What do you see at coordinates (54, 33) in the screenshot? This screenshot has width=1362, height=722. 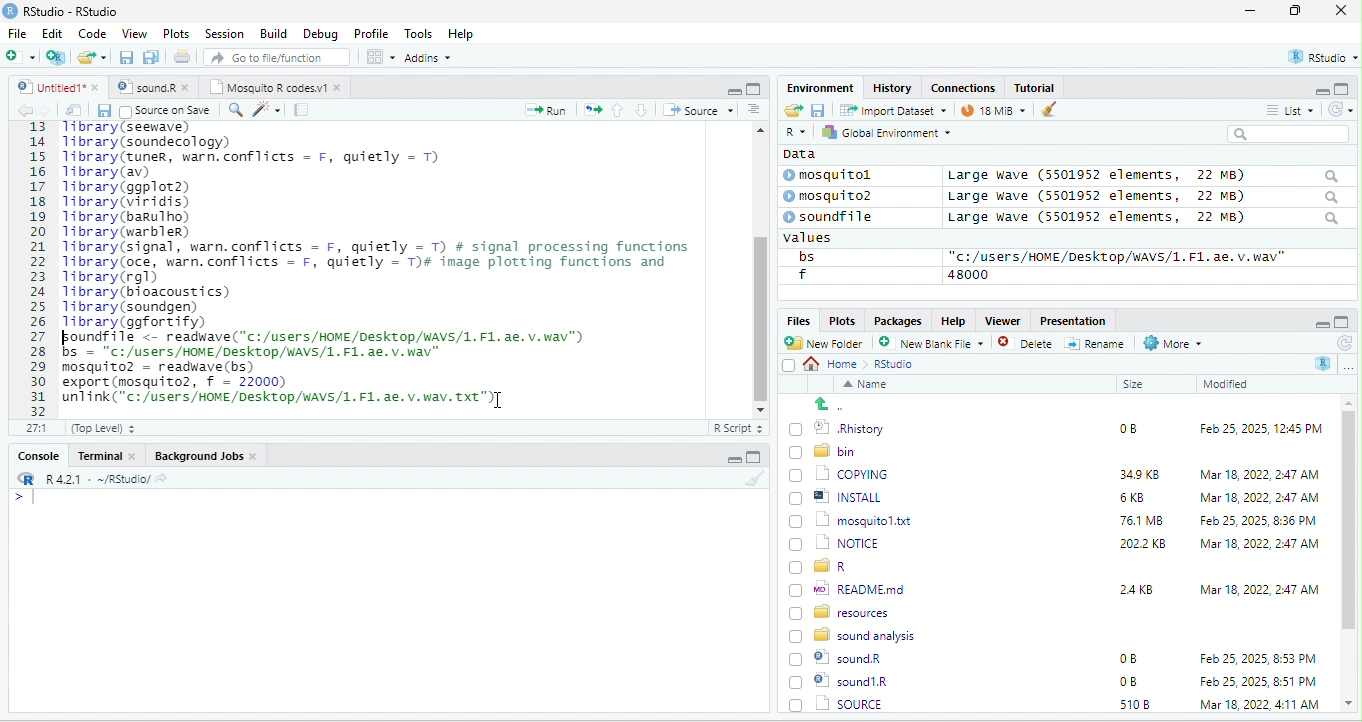 I see `Edit` at bounding box center [54, 33].